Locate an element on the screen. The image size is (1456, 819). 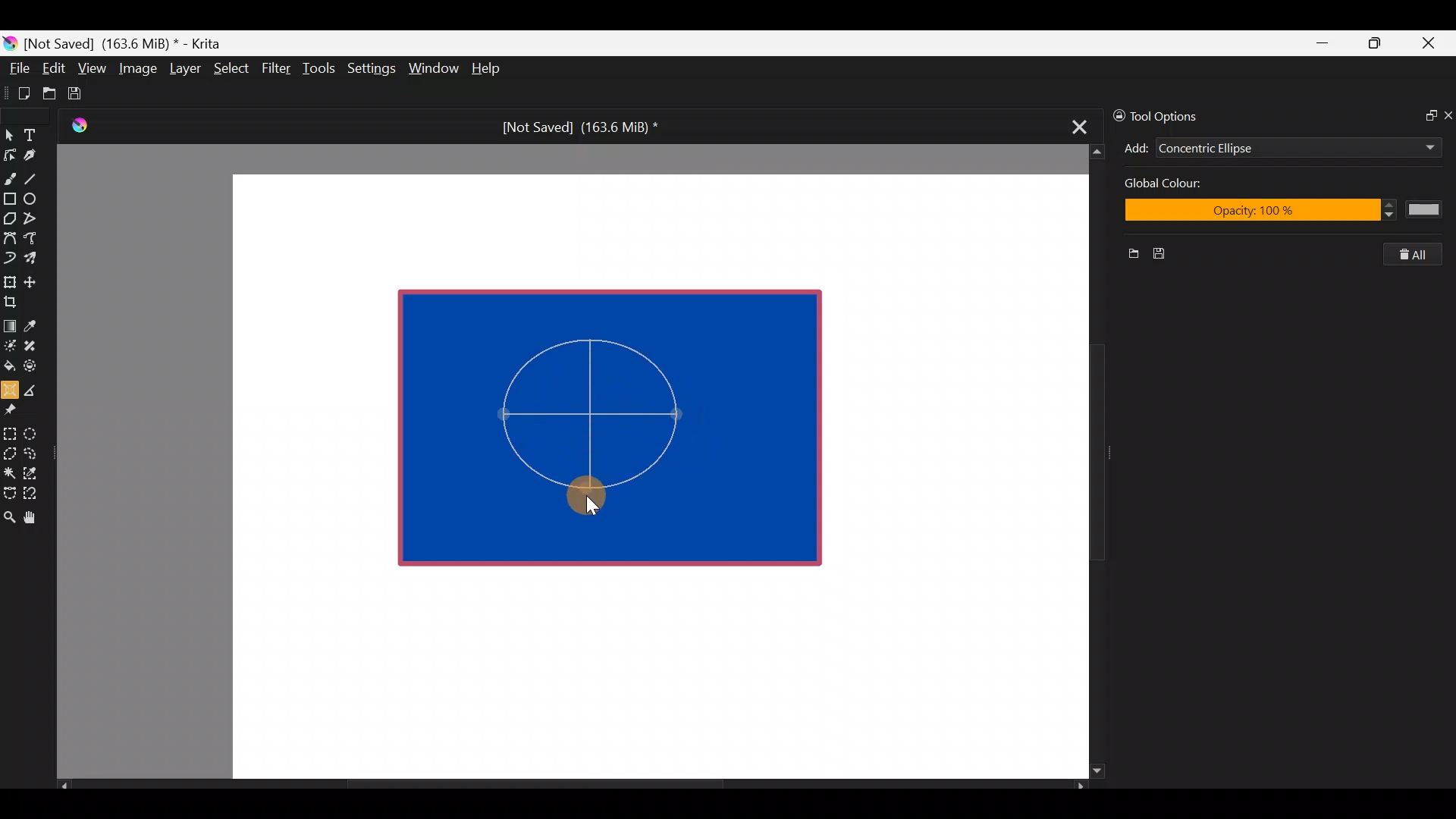
Draw a gradient is located at coordinates (9, 322).